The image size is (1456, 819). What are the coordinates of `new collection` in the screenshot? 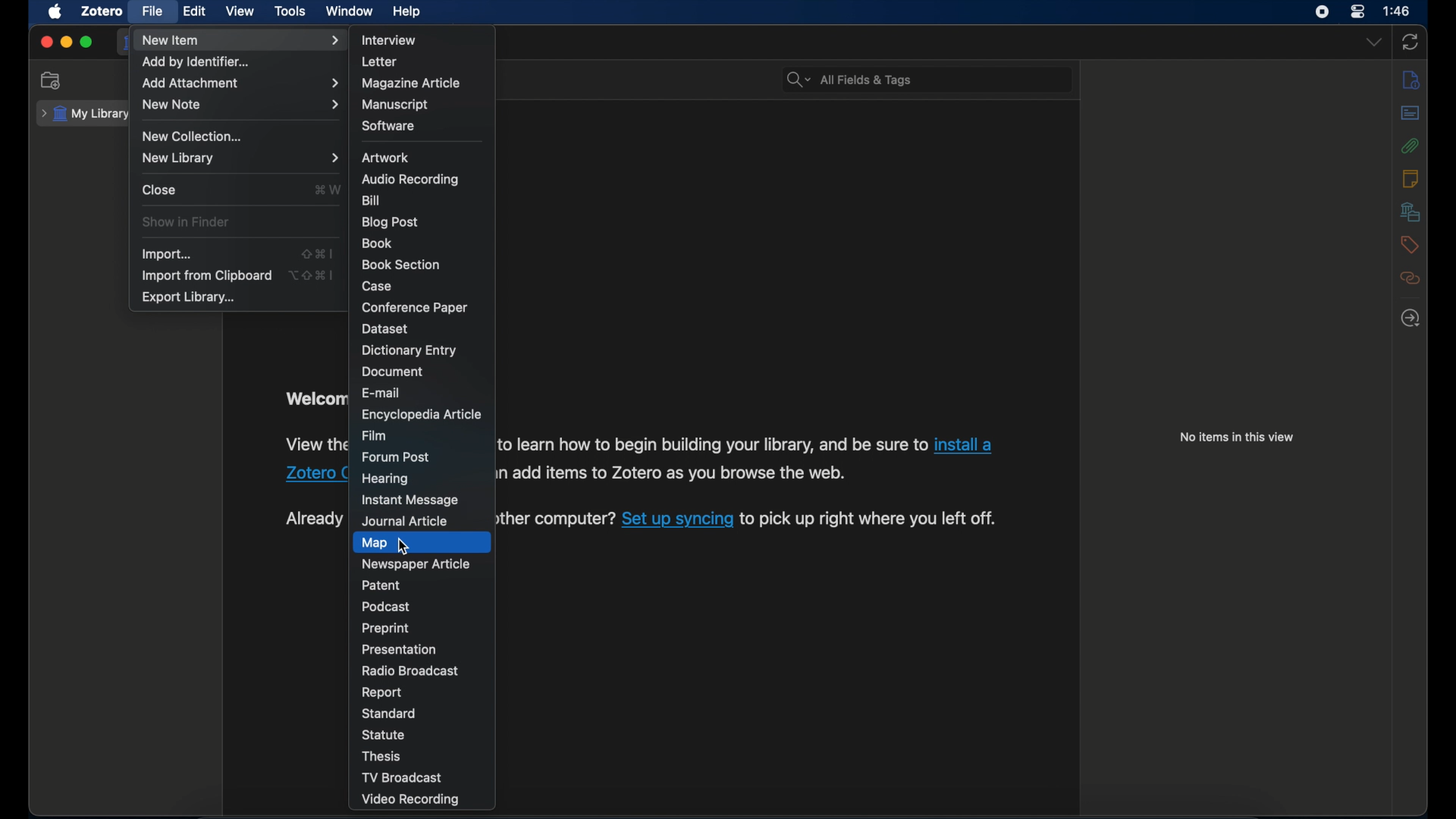 It's located at (53, 80).